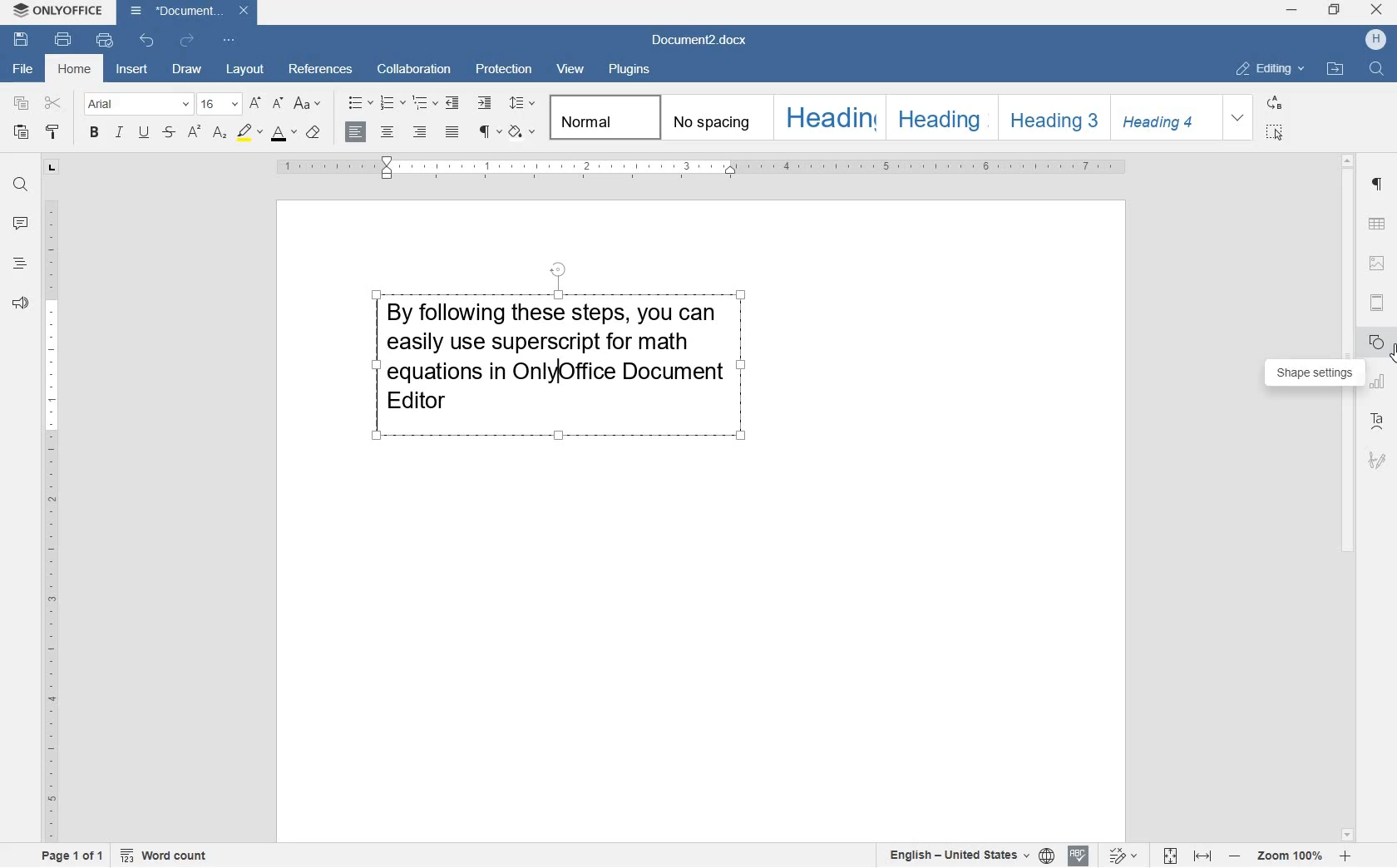 The height and width of the screenshot is (868, 1397). I want to click on subscript, so click(220, 134).